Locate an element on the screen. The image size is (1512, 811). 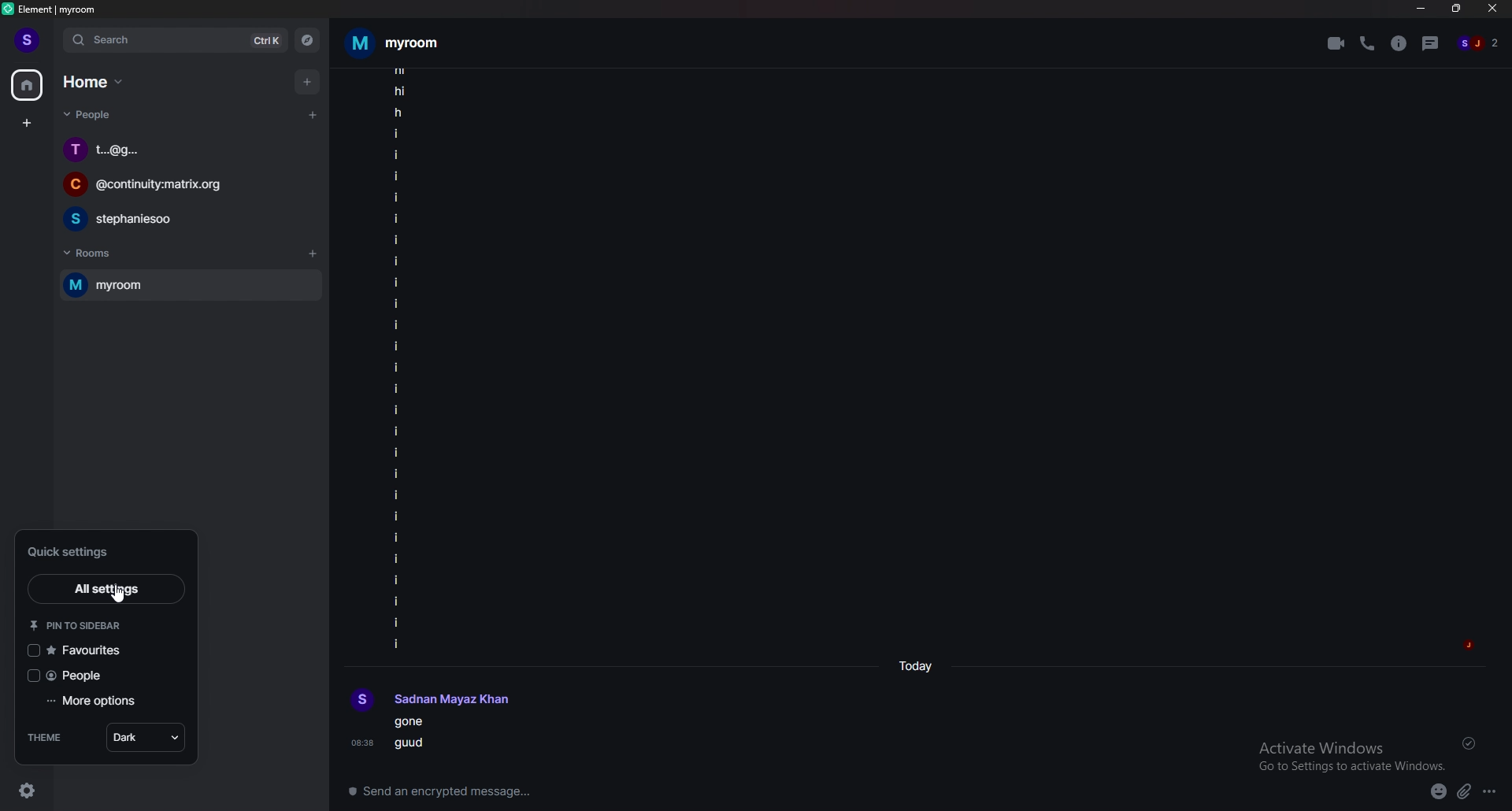
attachments is located at coordinates (1467, 792).